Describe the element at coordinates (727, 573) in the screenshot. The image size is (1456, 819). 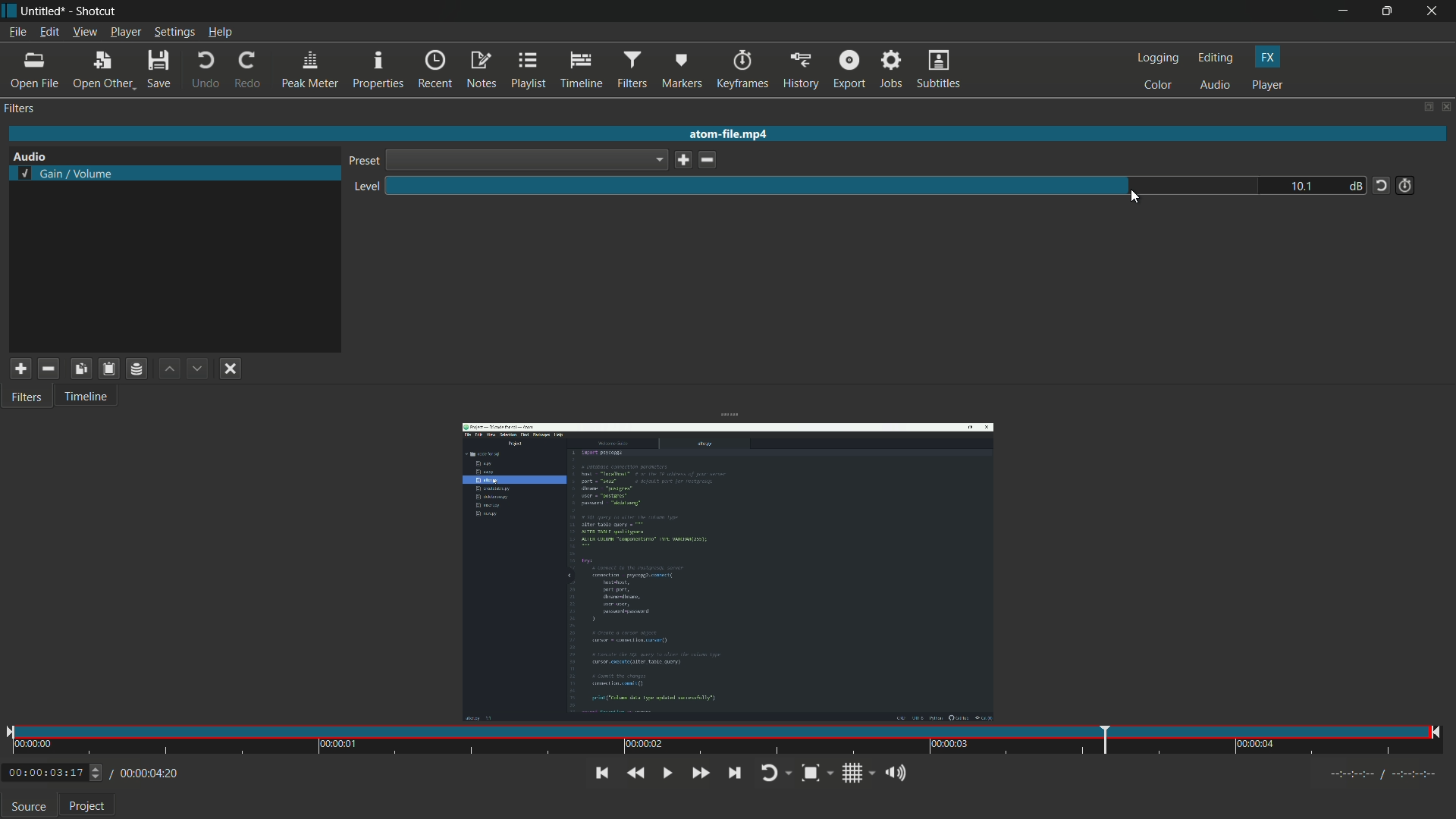
I see `imported video` at that location.